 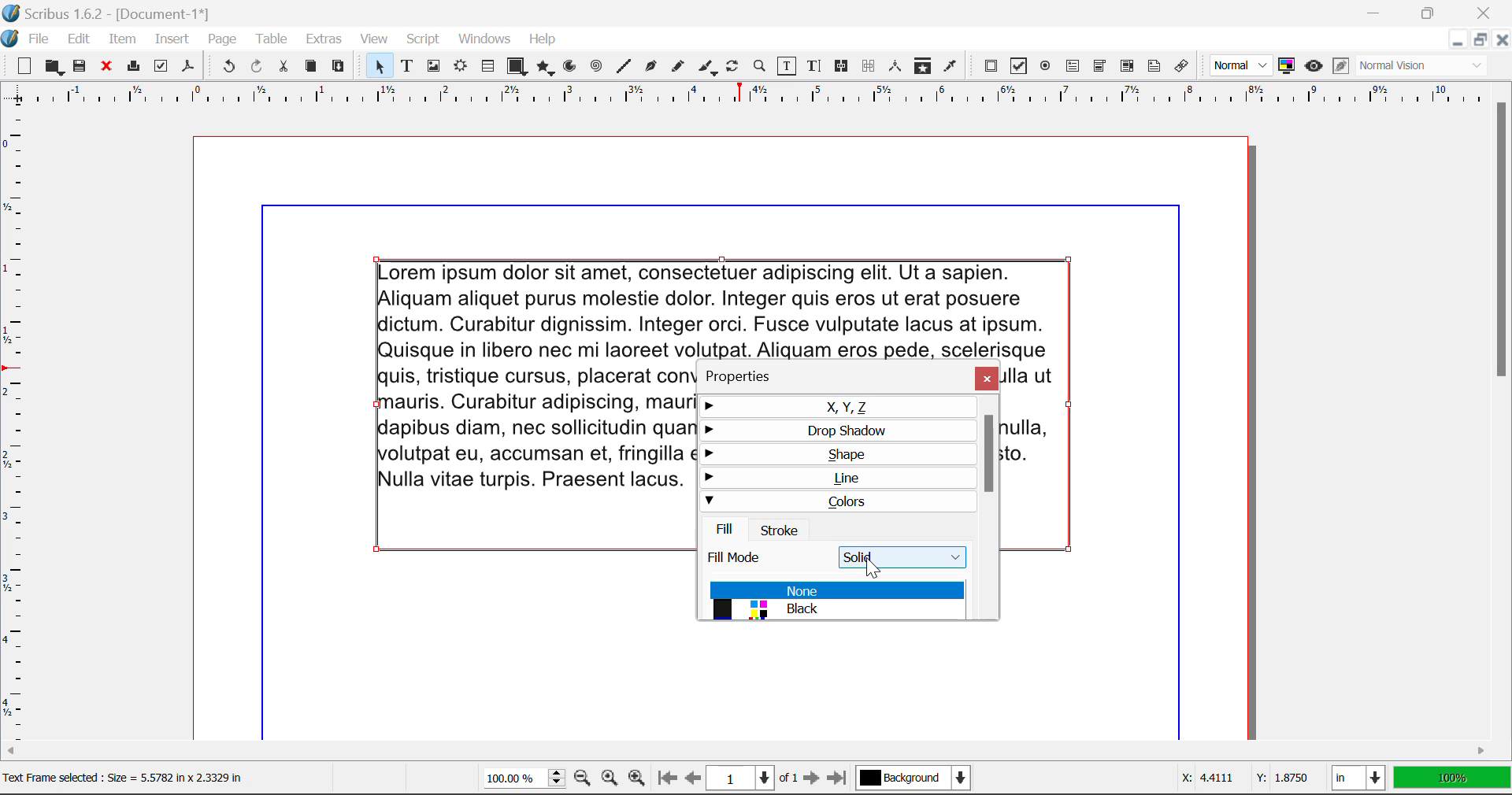 I want to click on Vertical Page Margins, so click(x=755, y=99).